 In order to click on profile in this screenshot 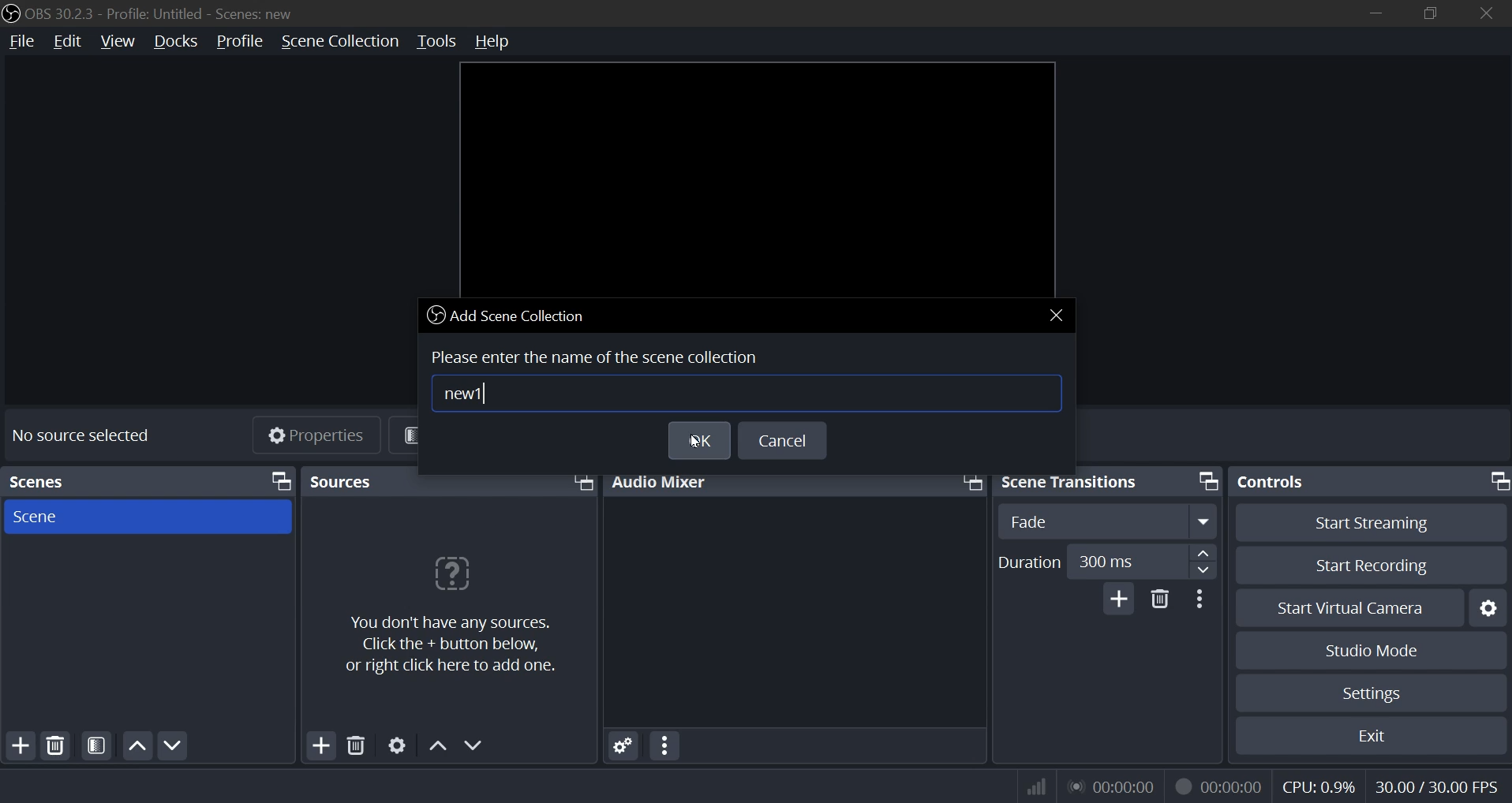, I will do `click(238, 42)`.